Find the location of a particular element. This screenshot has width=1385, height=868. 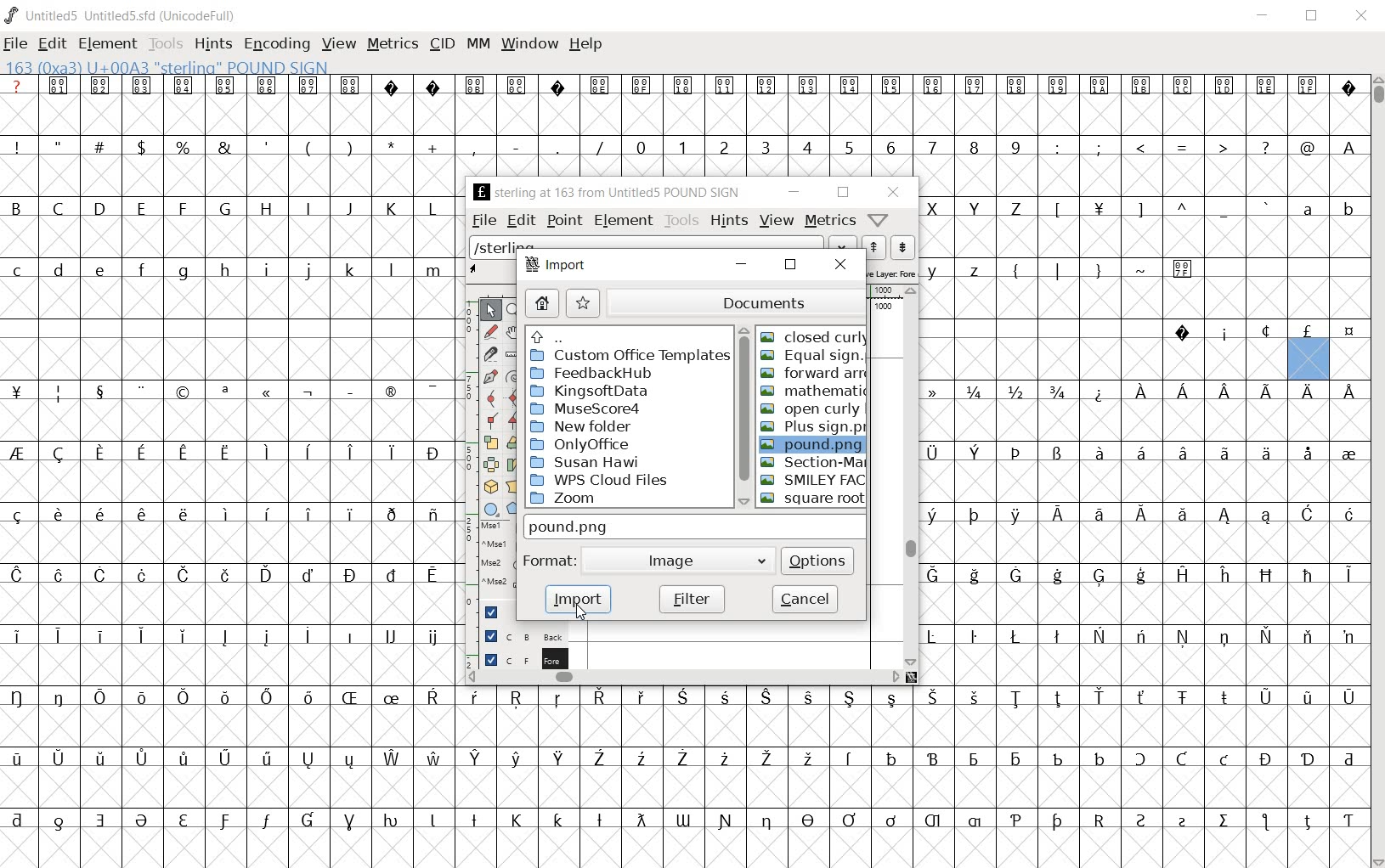

Perspective is located at coordinates (516, 486).